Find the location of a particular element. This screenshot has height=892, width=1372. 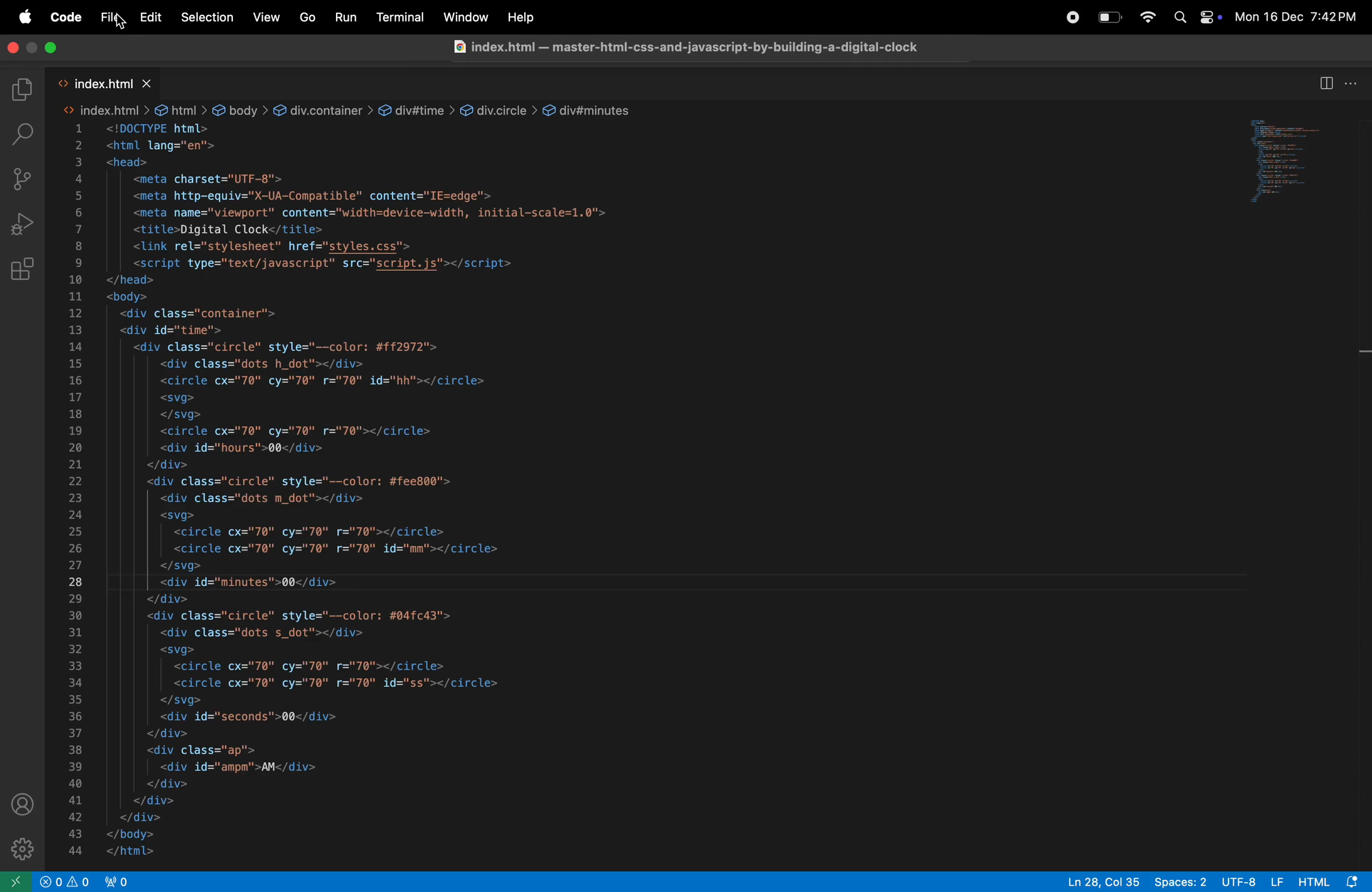

cursor is located at coordinates (119, 23).